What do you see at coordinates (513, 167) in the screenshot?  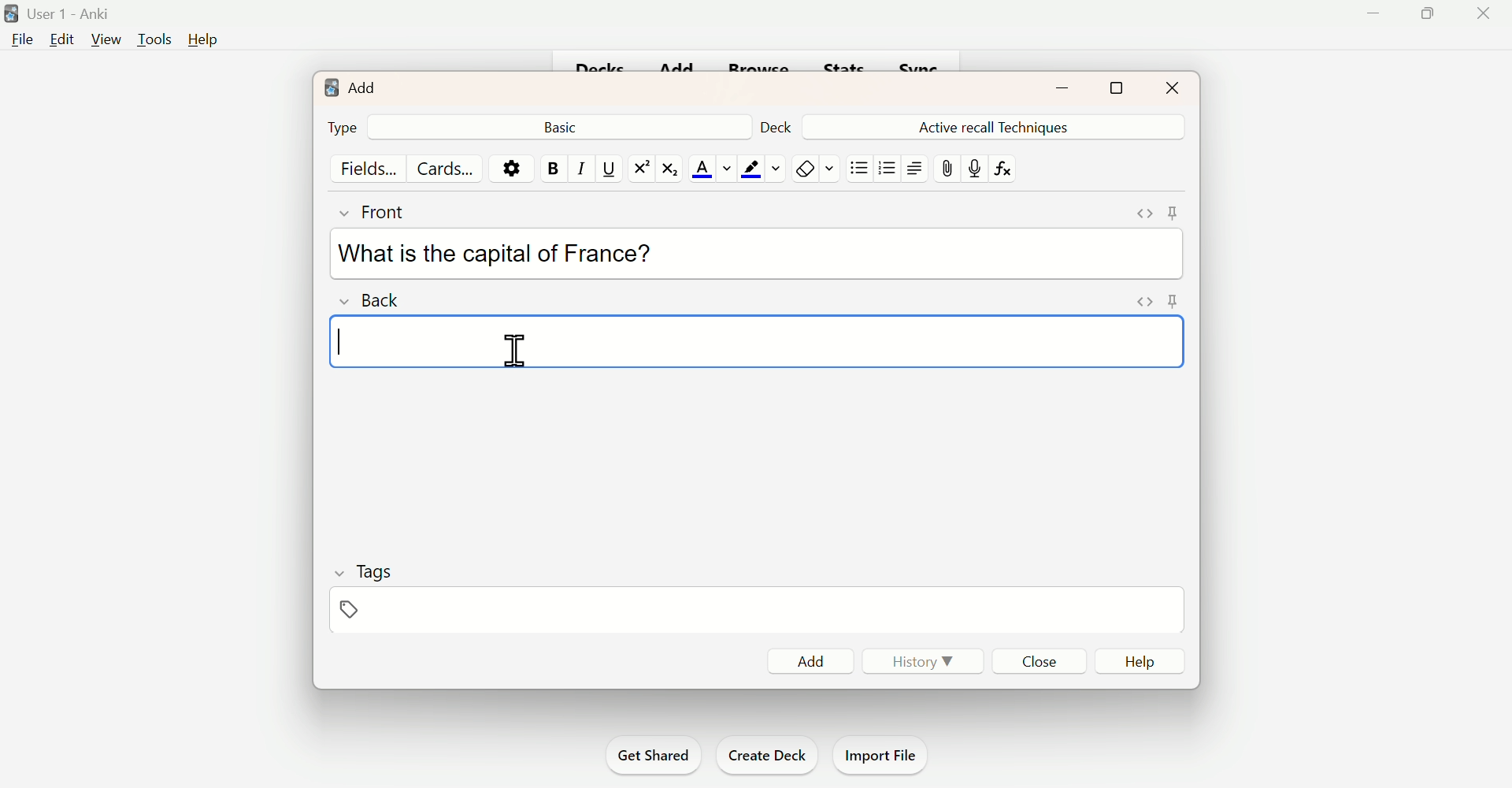 I see `Options` at bounding box center [513, 167].